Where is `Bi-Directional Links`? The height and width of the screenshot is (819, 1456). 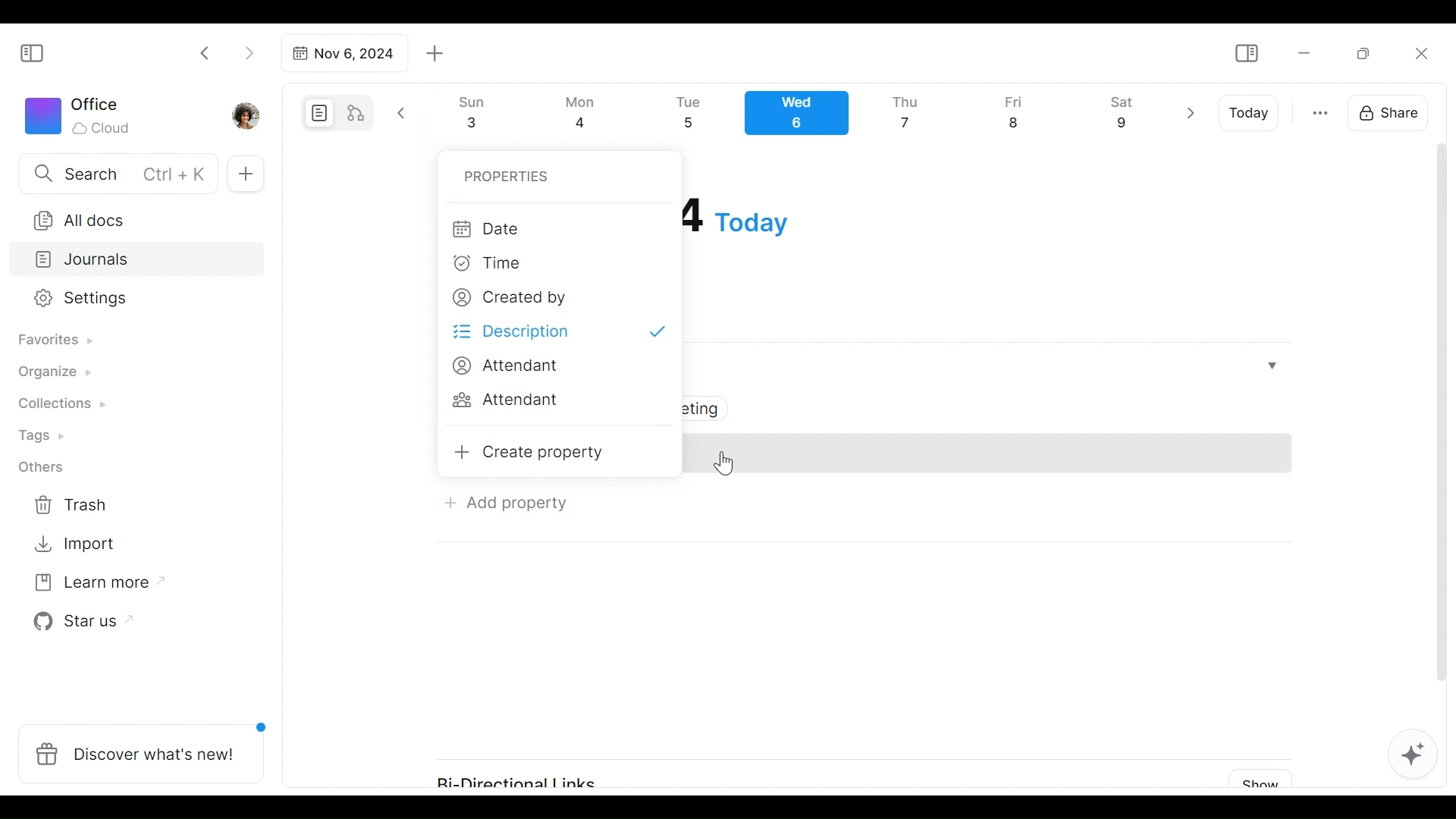
Bi-Directional Links is located at coordinates (520, 773).